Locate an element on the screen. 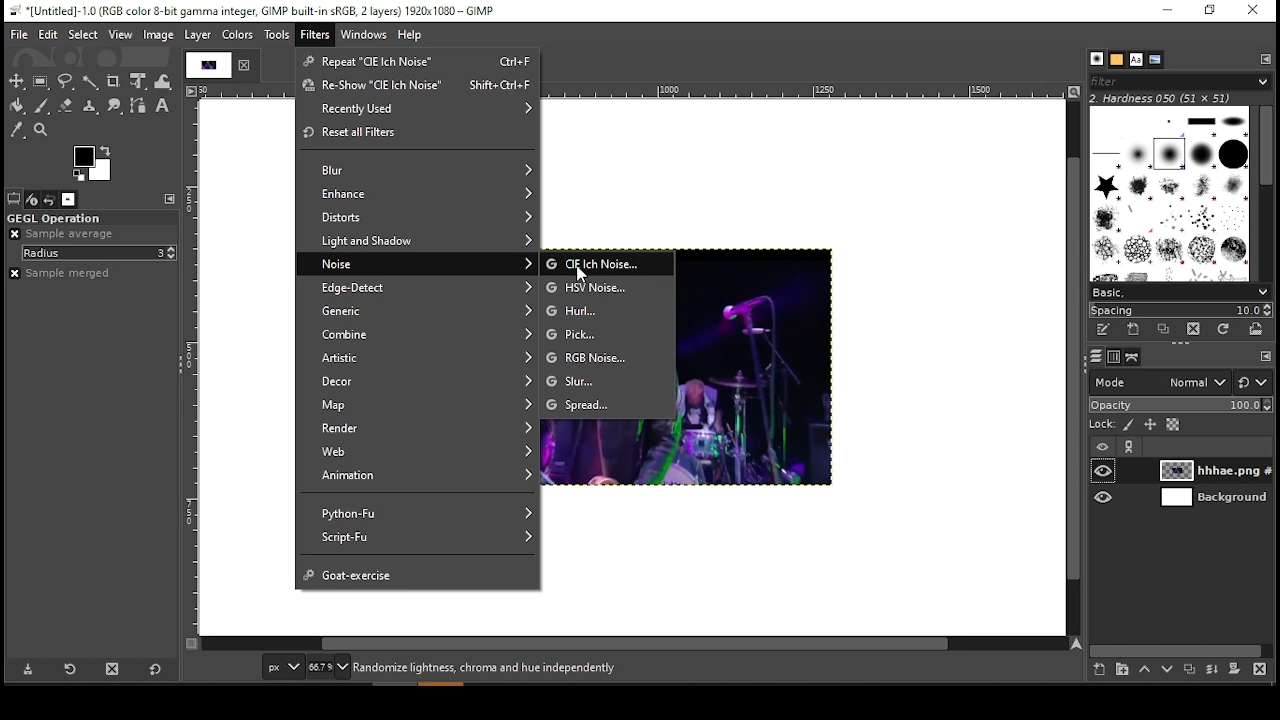  images is located at coordinates (69, 199).